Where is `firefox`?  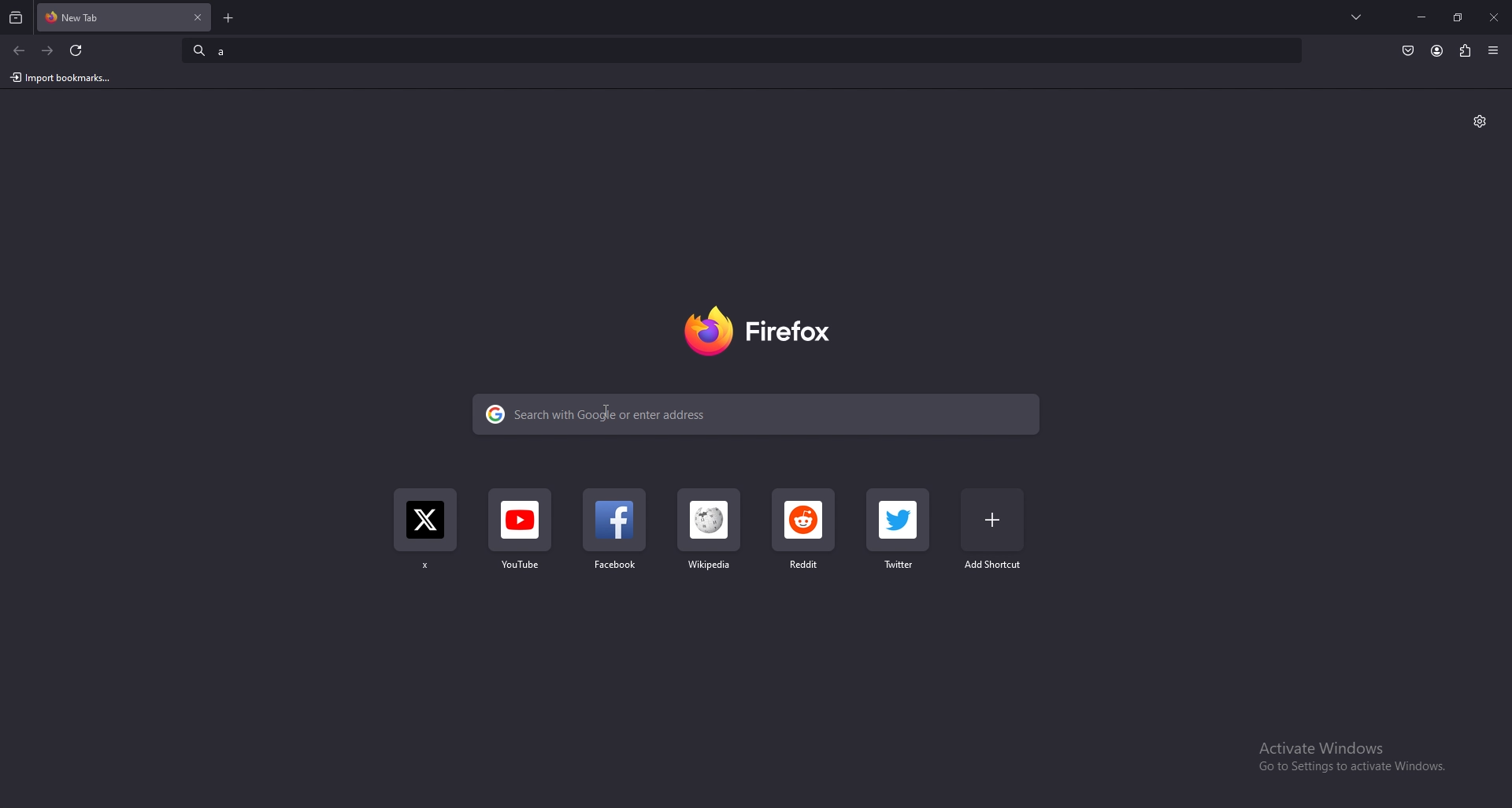 firefox is located at coordinates (756, 334).